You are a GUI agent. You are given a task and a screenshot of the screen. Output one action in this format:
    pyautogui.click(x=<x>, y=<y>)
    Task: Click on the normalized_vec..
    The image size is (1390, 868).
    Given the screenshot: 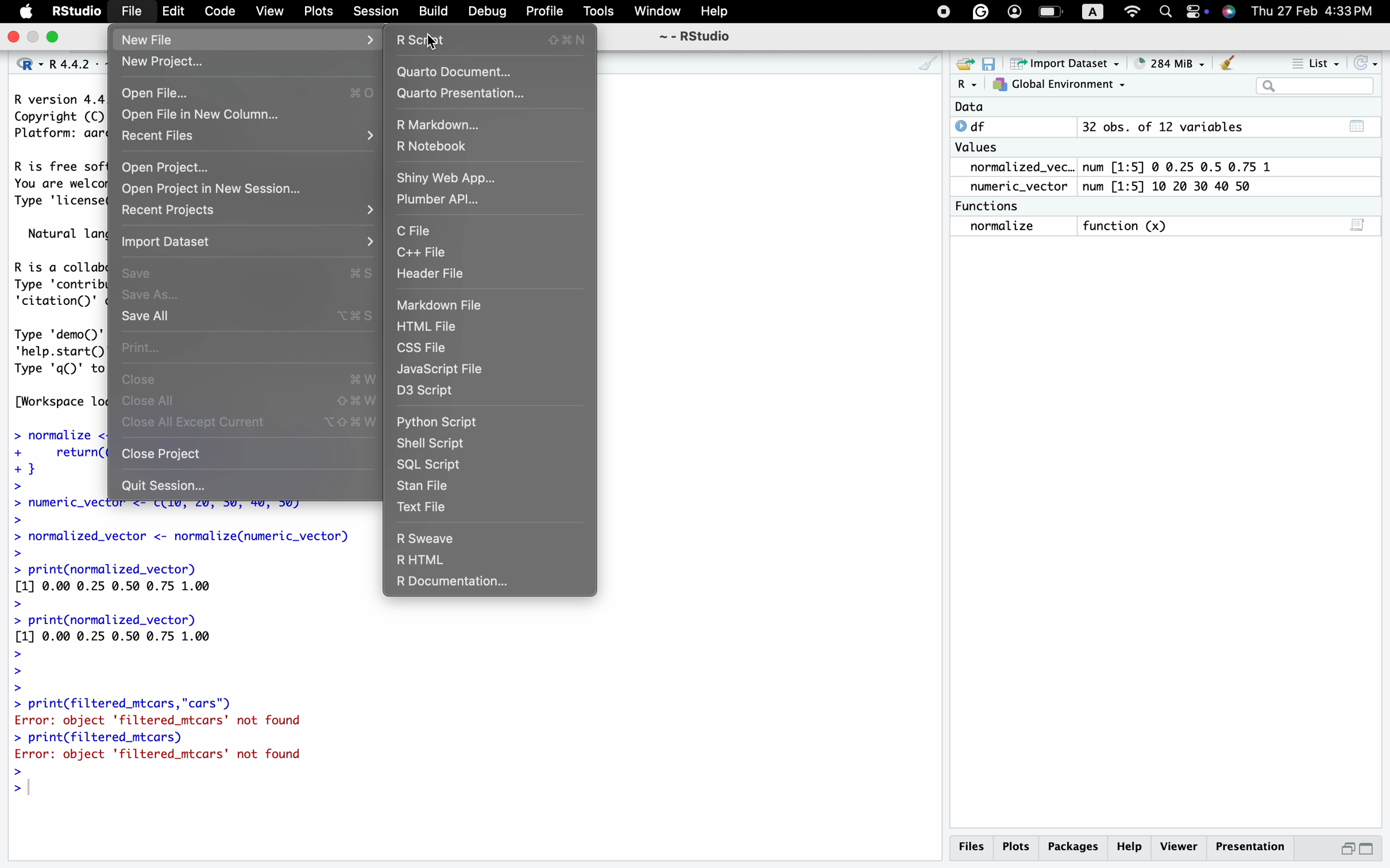 What is the action you would take?
    pyautogui.click(x=1017, y=168)
    